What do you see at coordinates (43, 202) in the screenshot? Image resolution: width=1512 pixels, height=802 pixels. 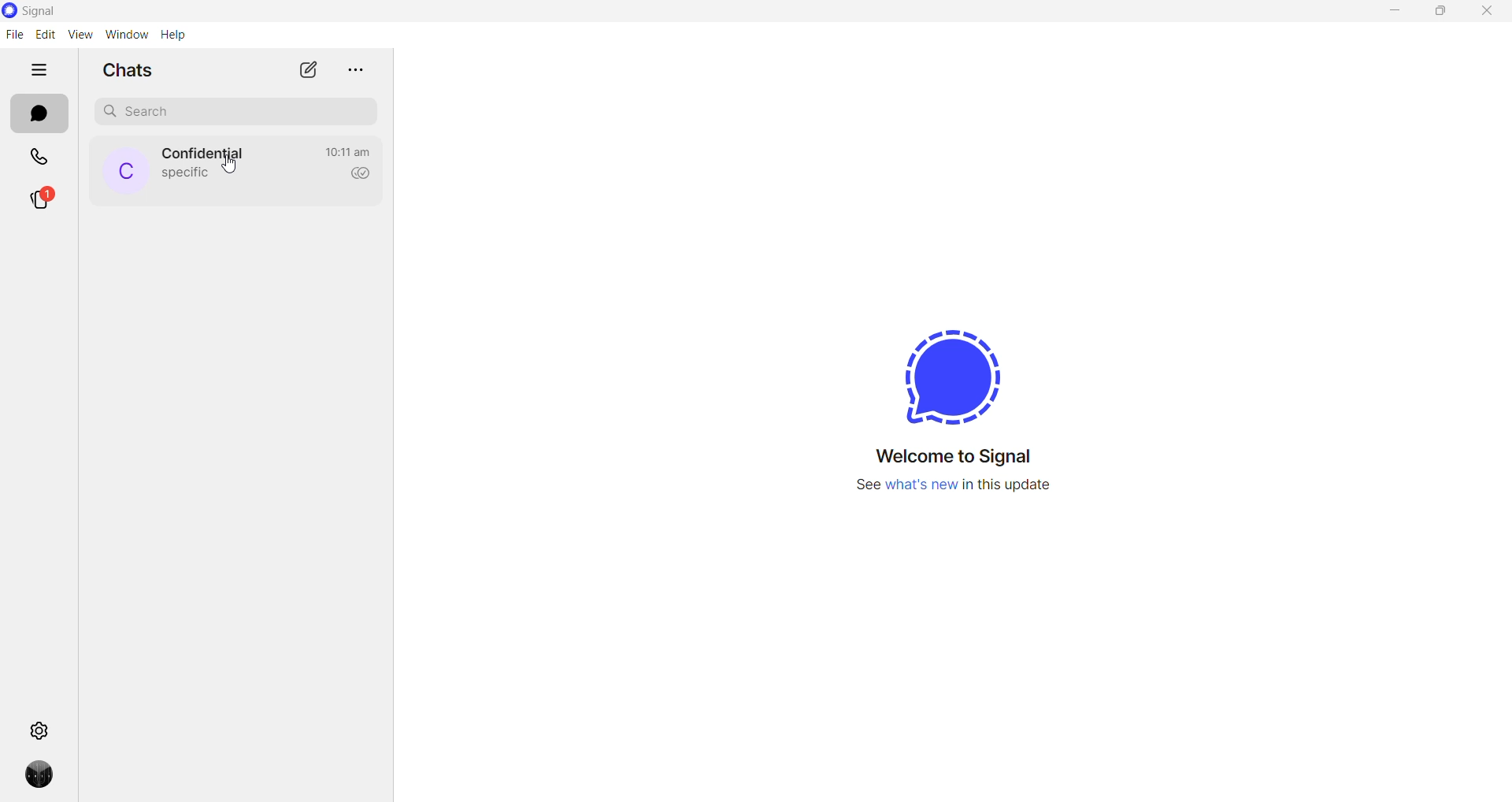 I see `stories` at bounding box center [43, 202].